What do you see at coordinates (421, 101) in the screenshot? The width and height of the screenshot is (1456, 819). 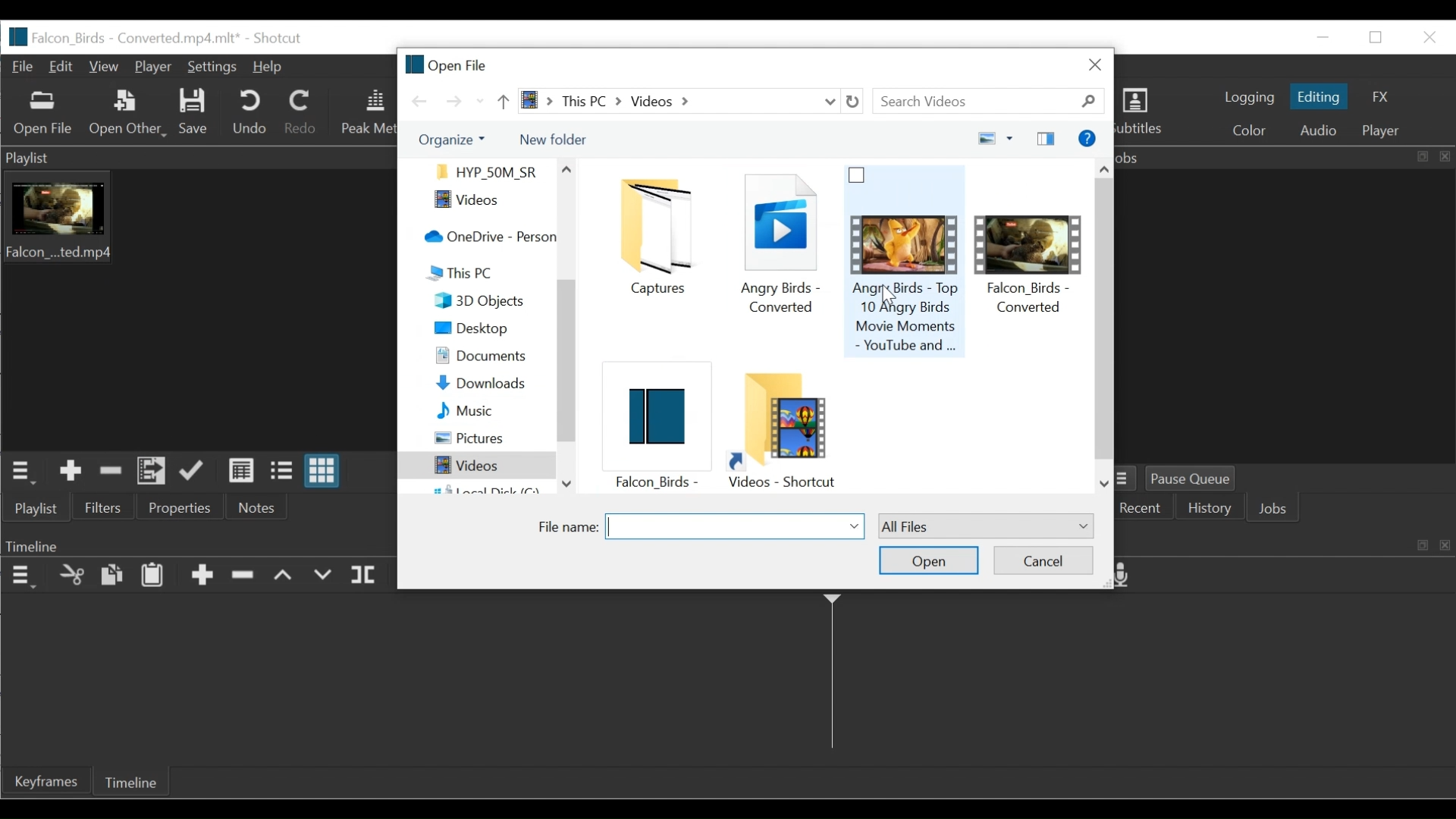 I see `Go back` at bounding box center [421, 101].